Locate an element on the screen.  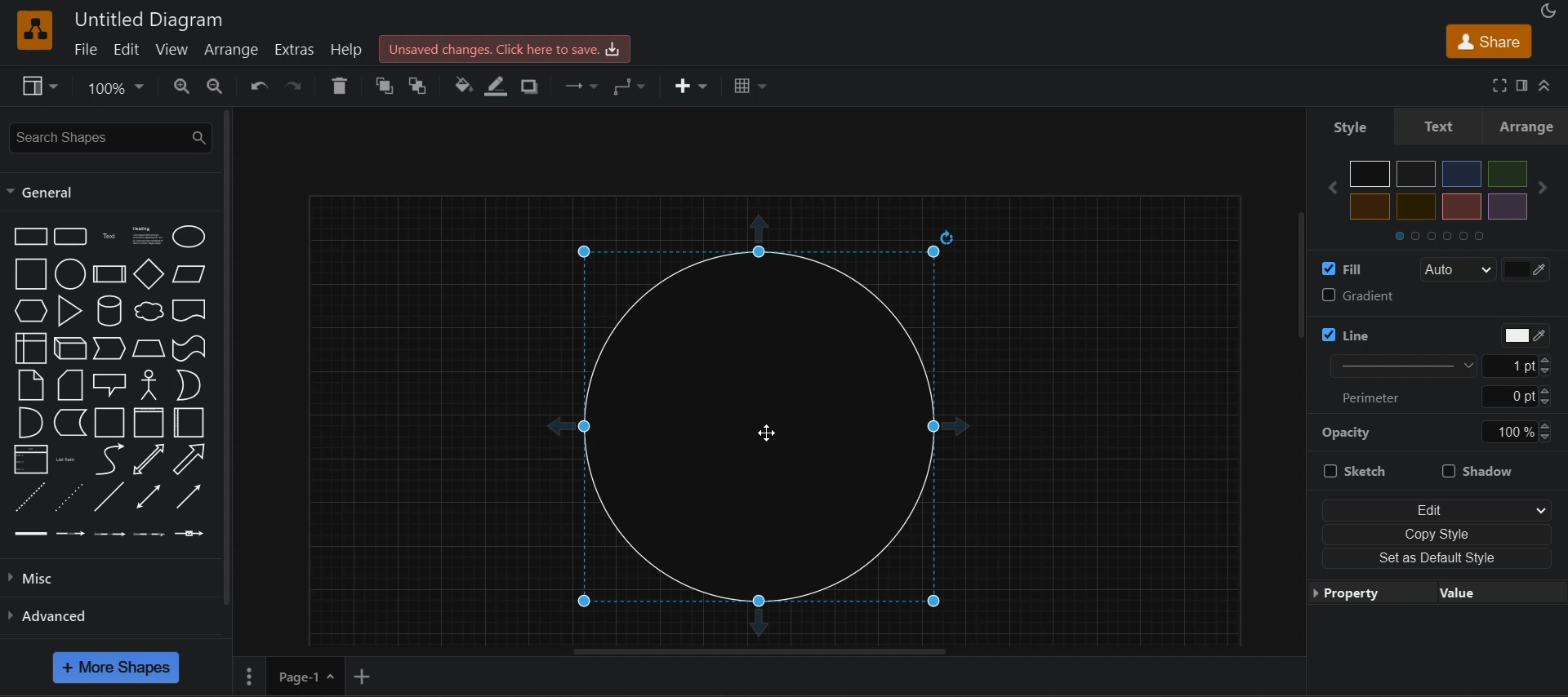
directional connector is located at coordinates (196, 496).